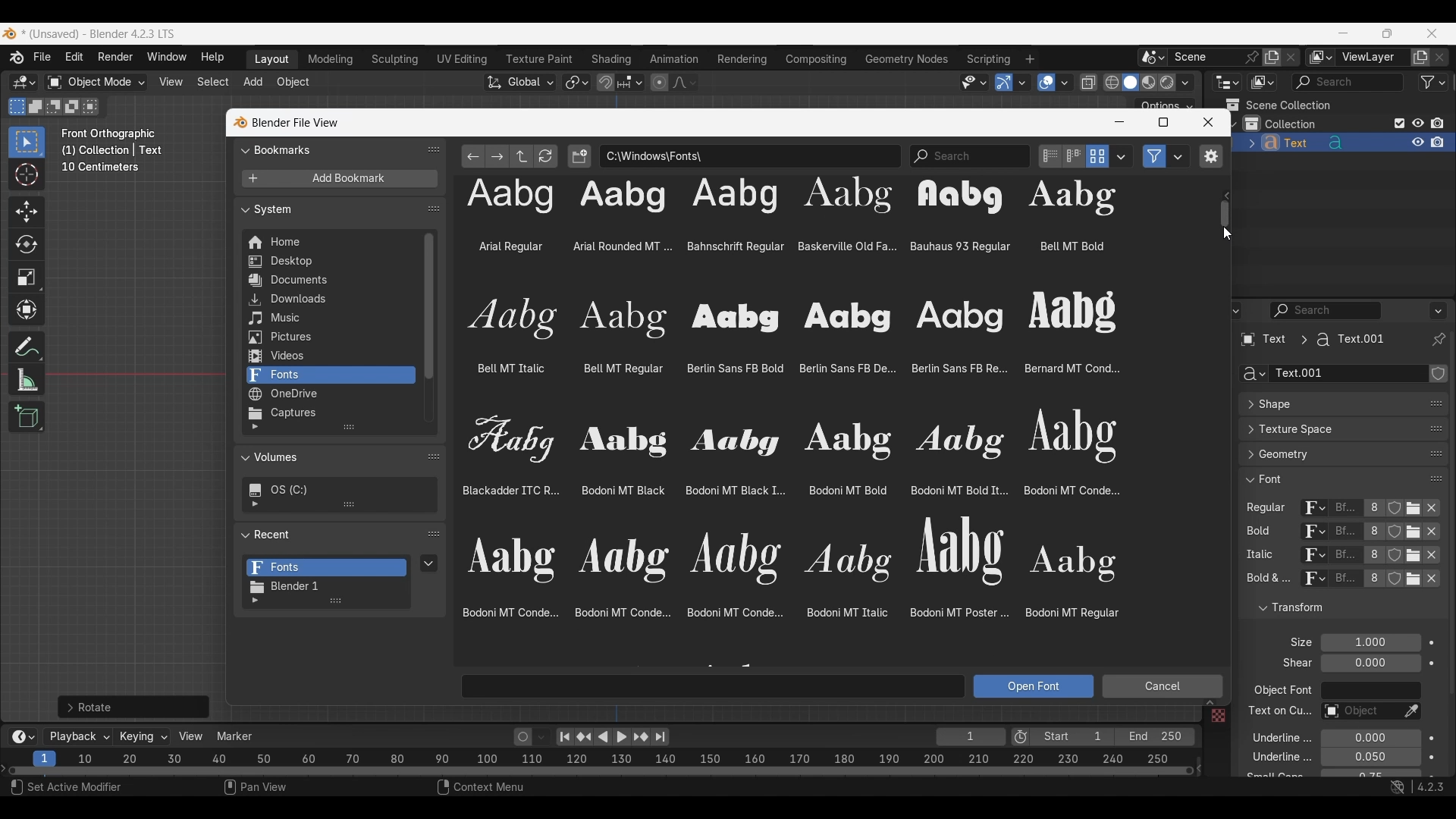 This screenshot has height=819, width=1456. What do you see at coordinates (463, 59) in the screenshot?
I see `UV Editing workspace` at bounding box center [463, 59].